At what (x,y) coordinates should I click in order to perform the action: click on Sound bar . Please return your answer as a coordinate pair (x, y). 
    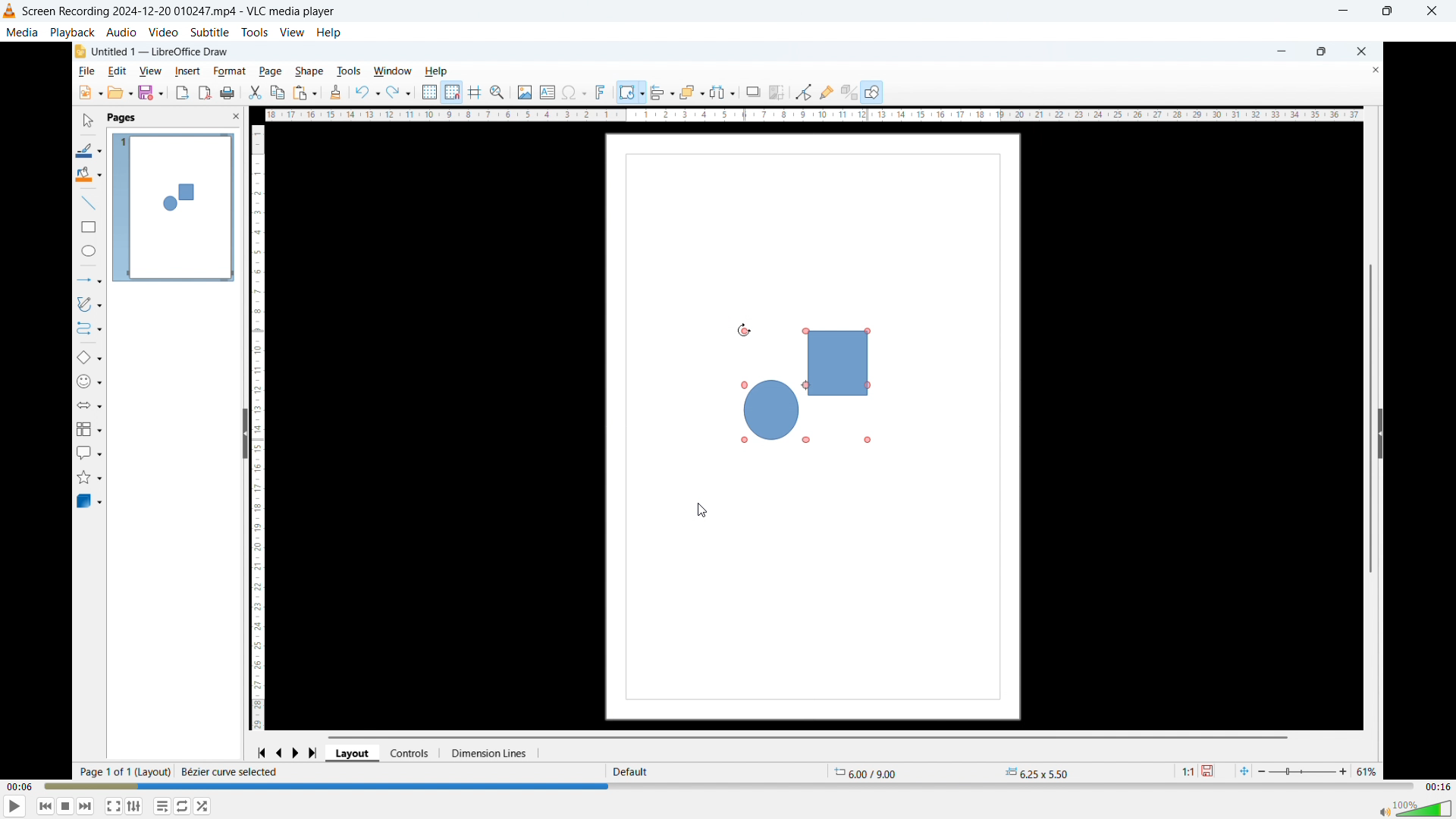
    Looking at the image, I should click on (1411, 808).